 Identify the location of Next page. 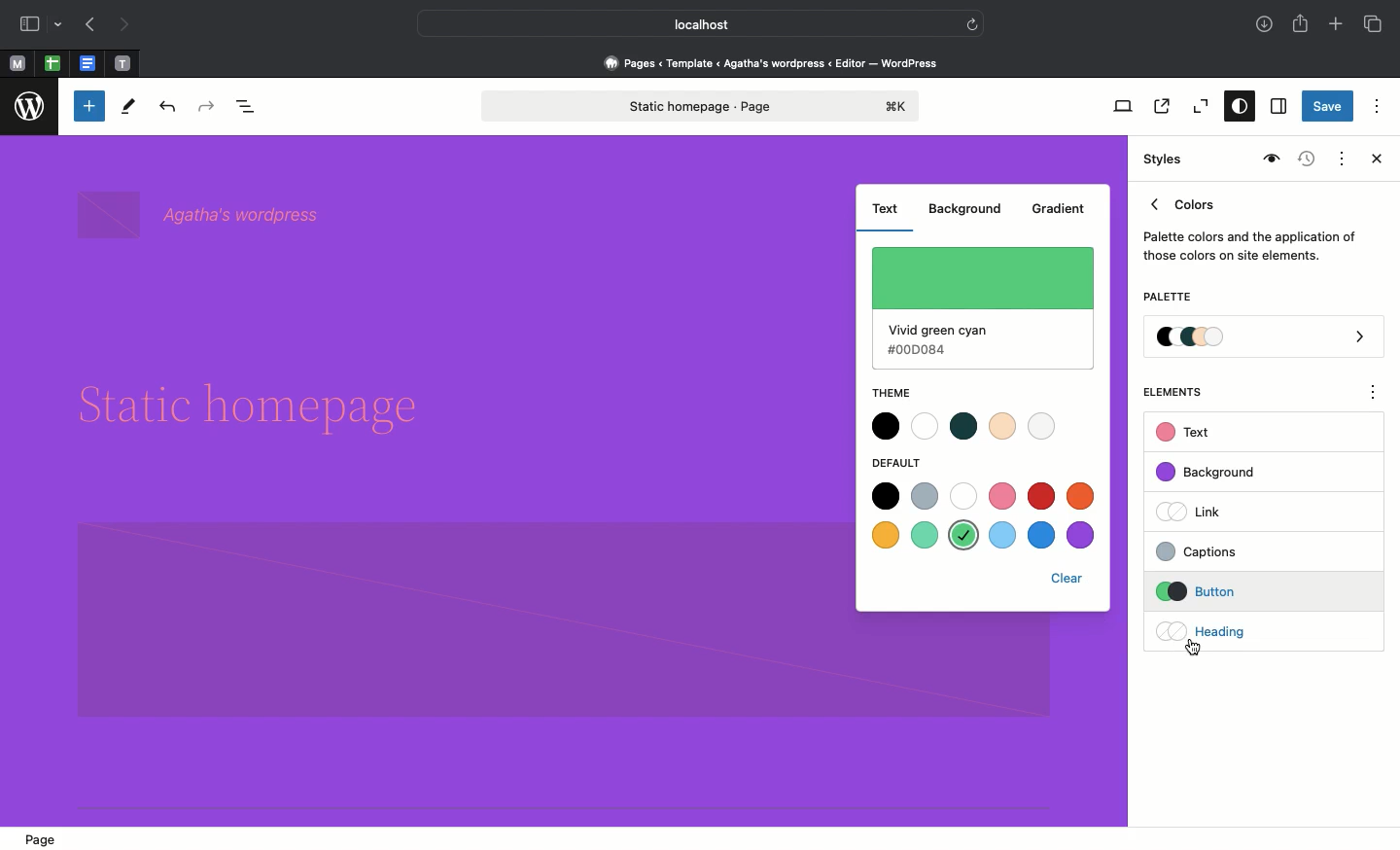
(124, 25).